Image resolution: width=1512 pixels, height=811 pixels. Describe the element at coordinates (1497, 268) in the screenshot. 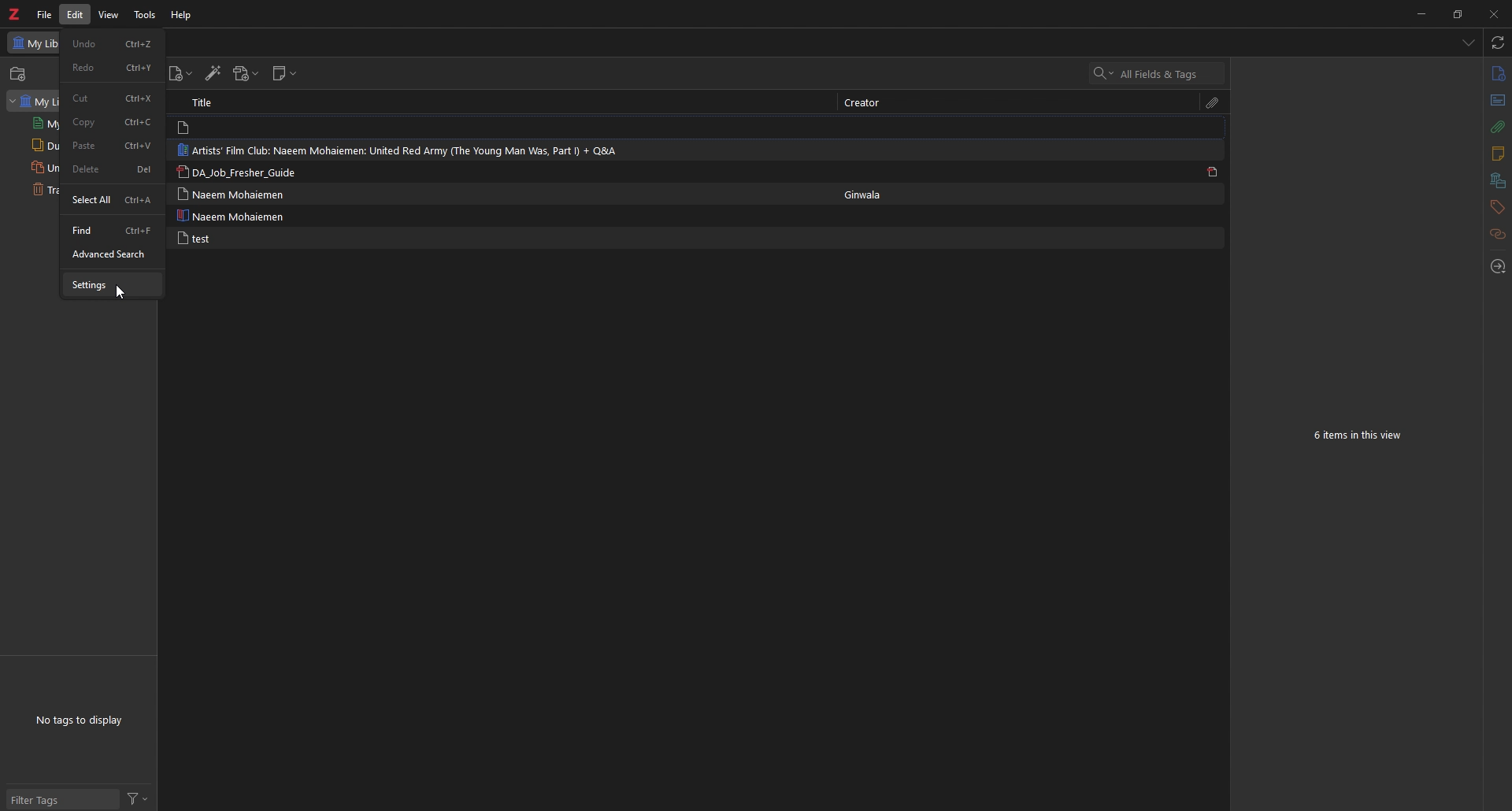

I see `locate` at that location.